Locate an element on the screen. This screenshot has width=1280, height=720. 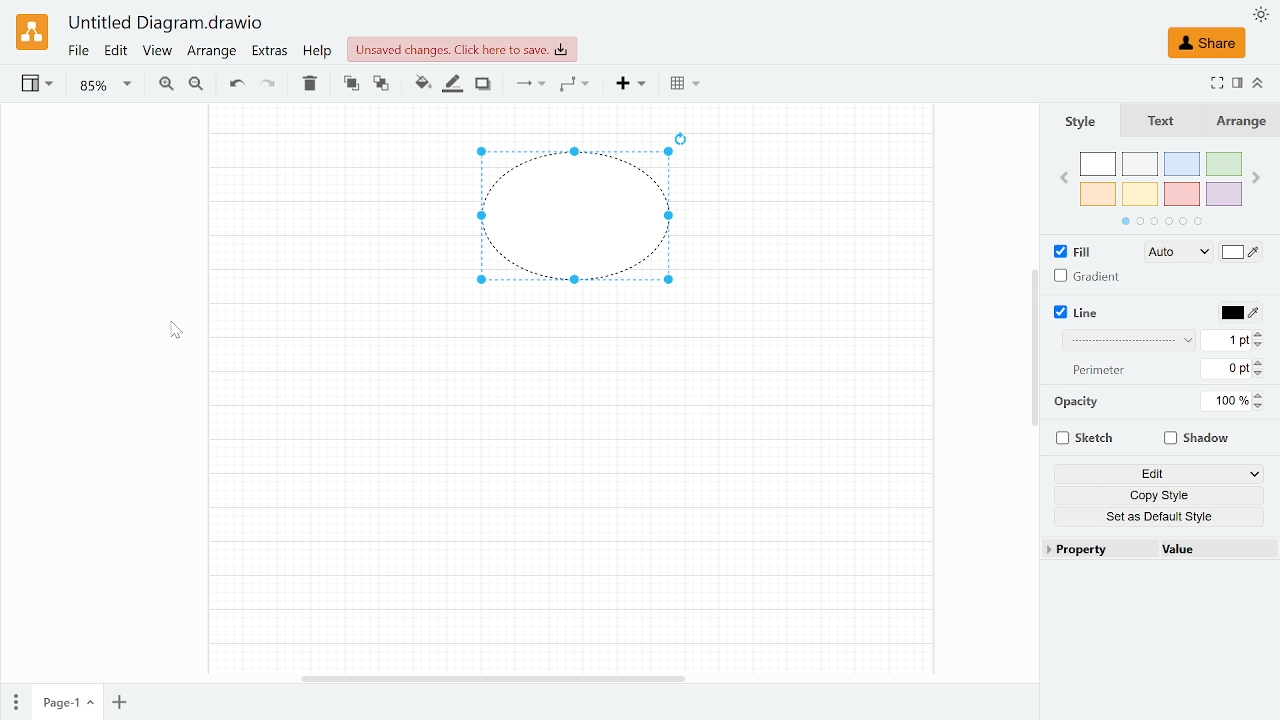
Zoom out is located at coordinates (199, 86).